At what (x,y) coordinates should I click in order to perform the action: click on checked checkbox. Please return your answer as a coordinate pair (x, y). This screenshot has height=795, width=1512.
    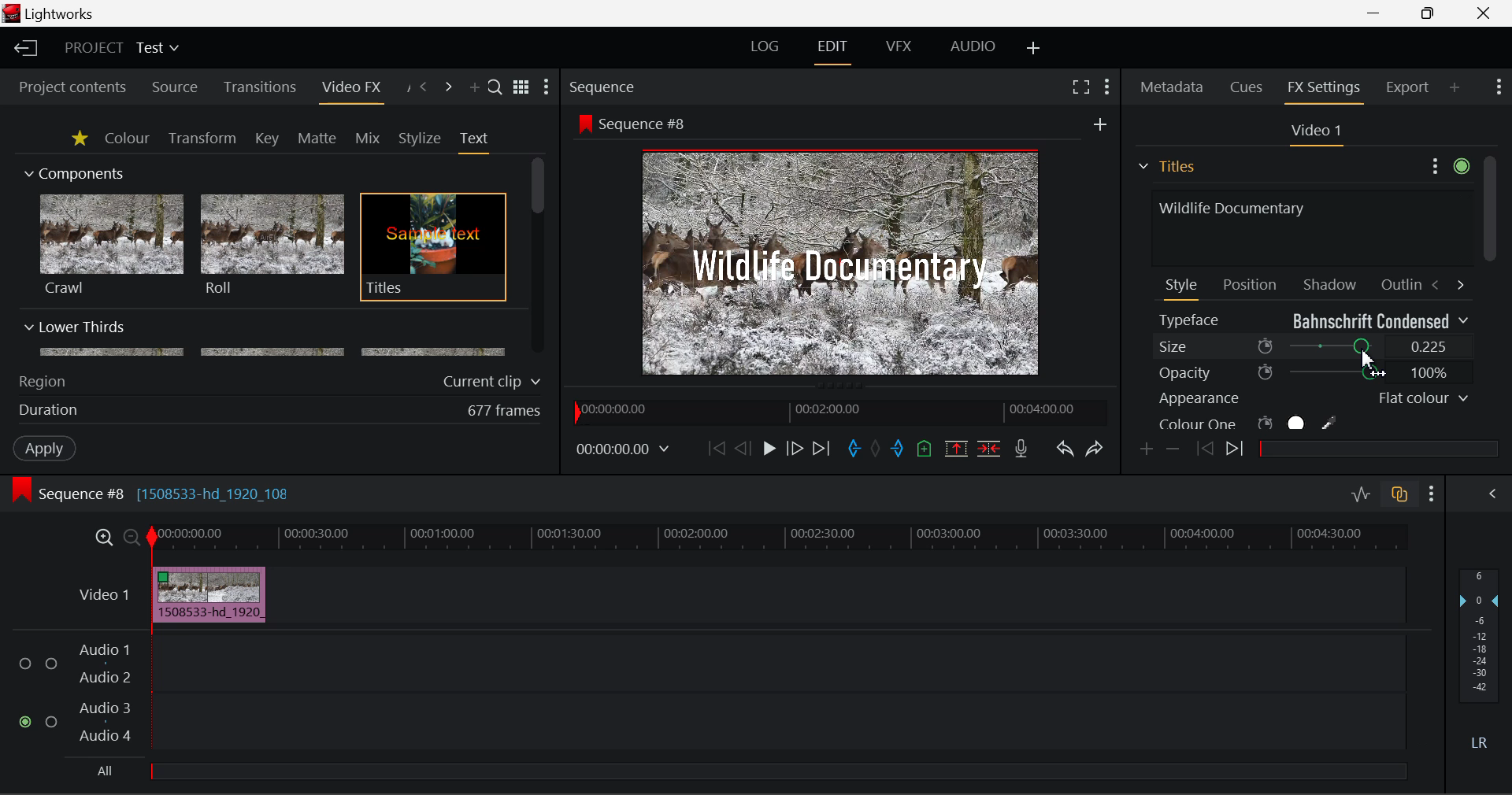
    Looking at the image, I should click on (28, 723).